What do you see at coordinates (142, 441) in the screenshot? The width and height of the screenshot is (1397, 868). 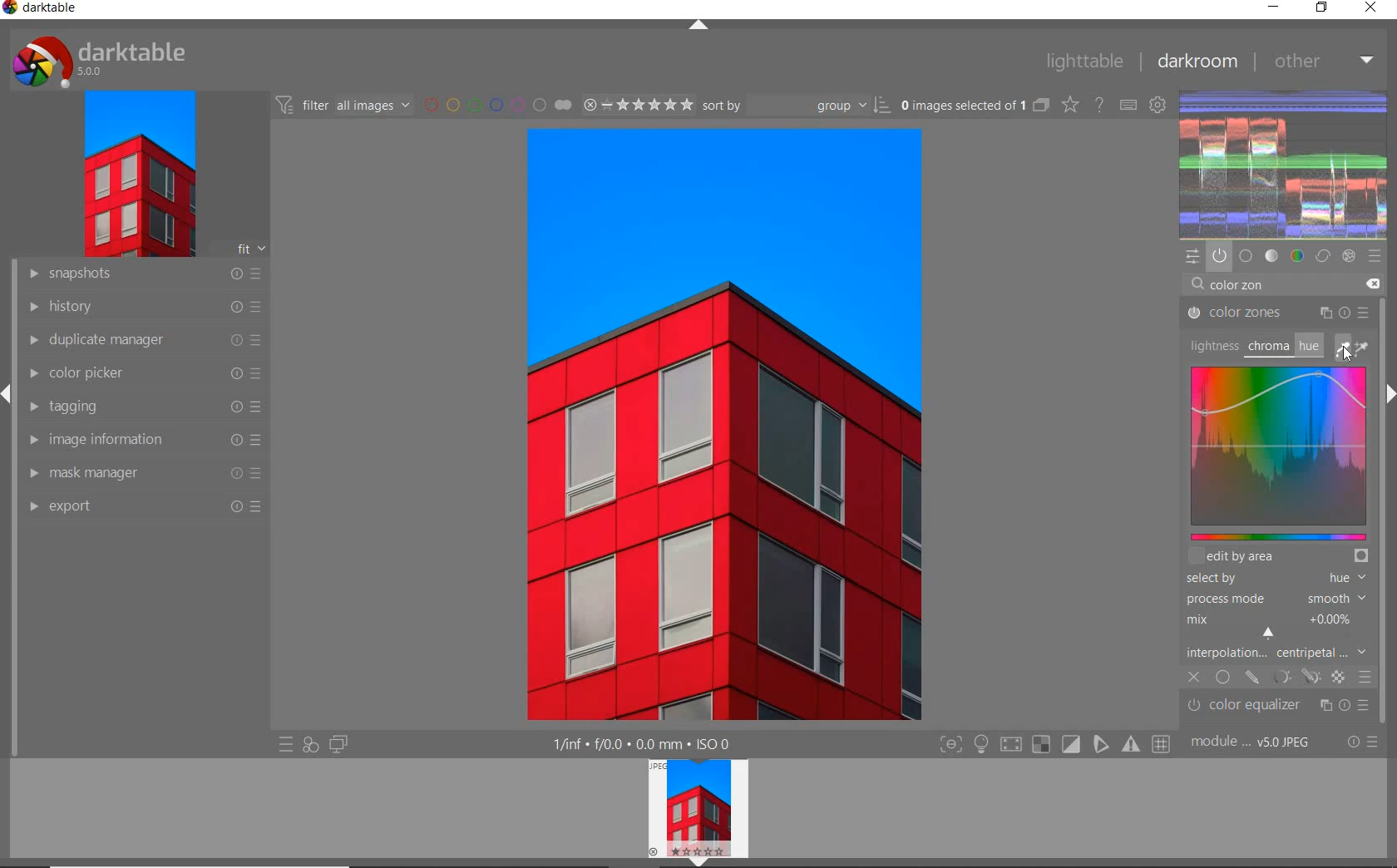 I see `image information` at bounding box center [142, 441].